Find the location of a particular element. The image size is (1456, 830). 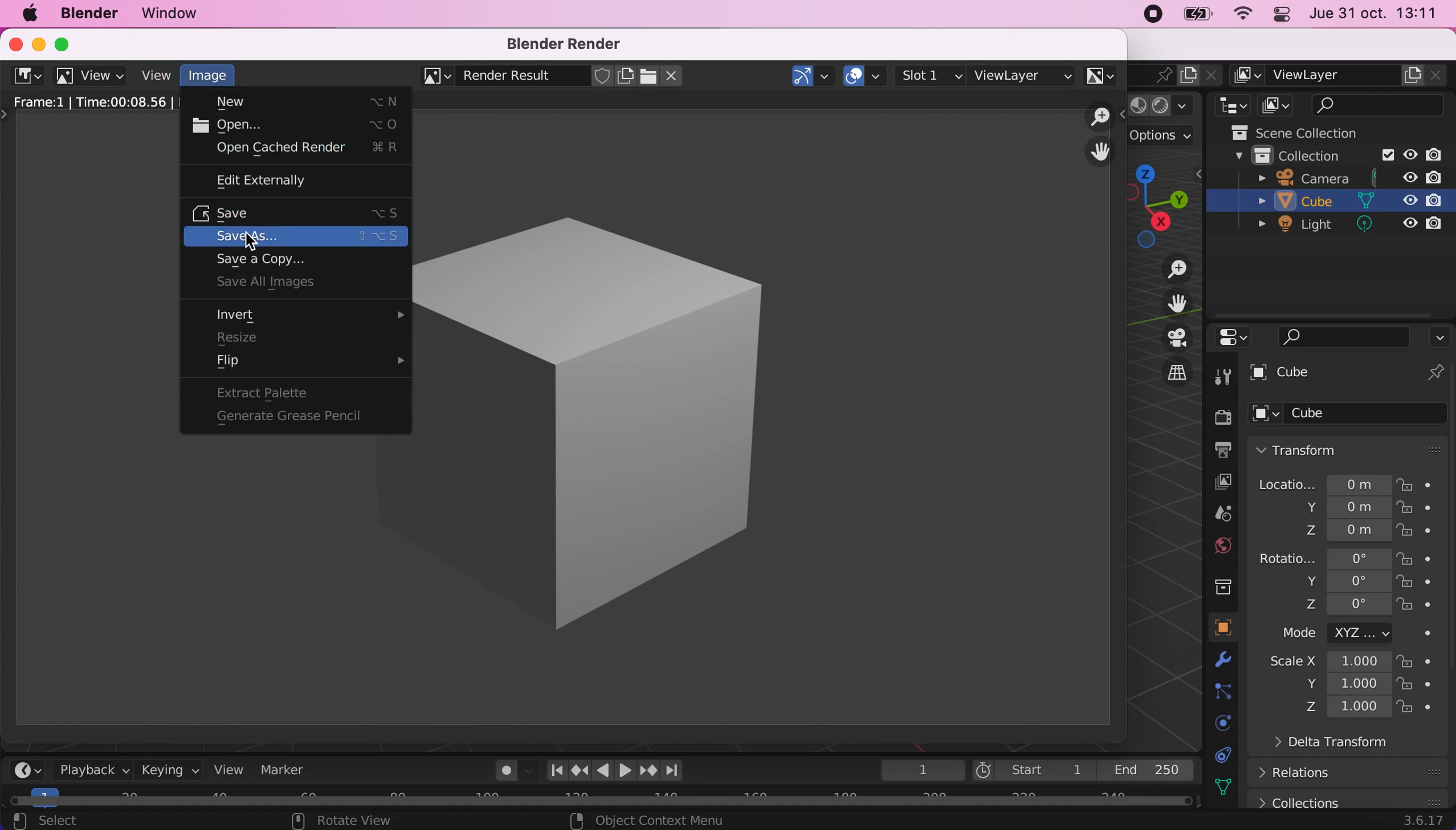

move the view is located at coordinates (1100, 152).